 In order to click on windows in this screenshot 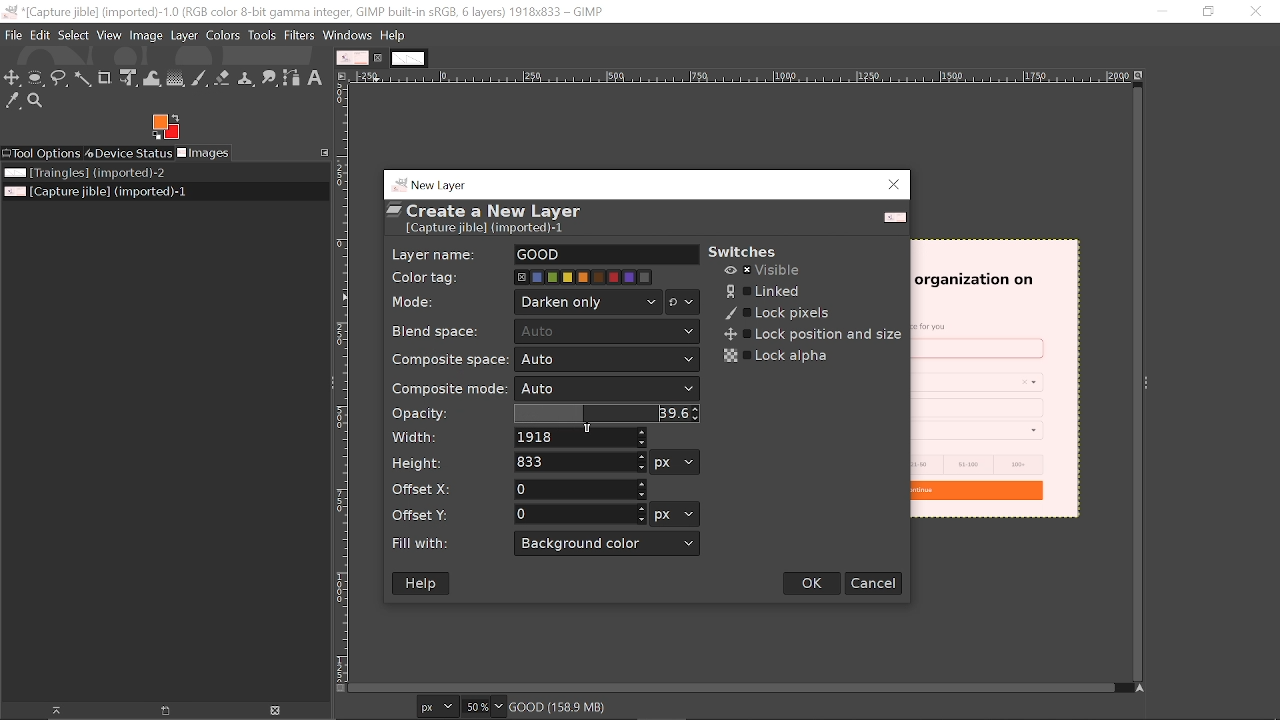, I will do `click(347, 35)`.